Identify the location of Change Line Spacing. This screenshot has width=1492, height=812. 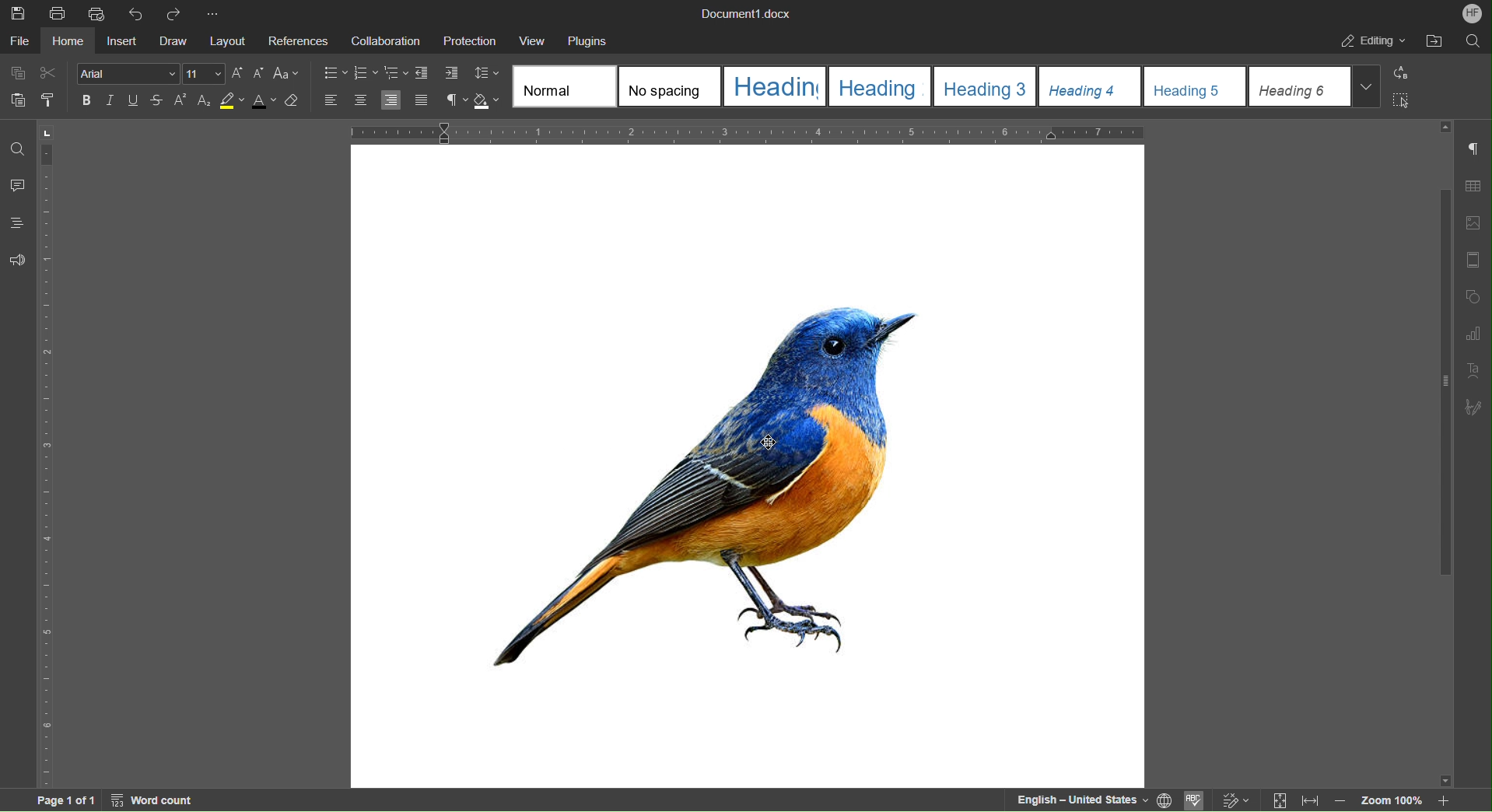
(487, 73).